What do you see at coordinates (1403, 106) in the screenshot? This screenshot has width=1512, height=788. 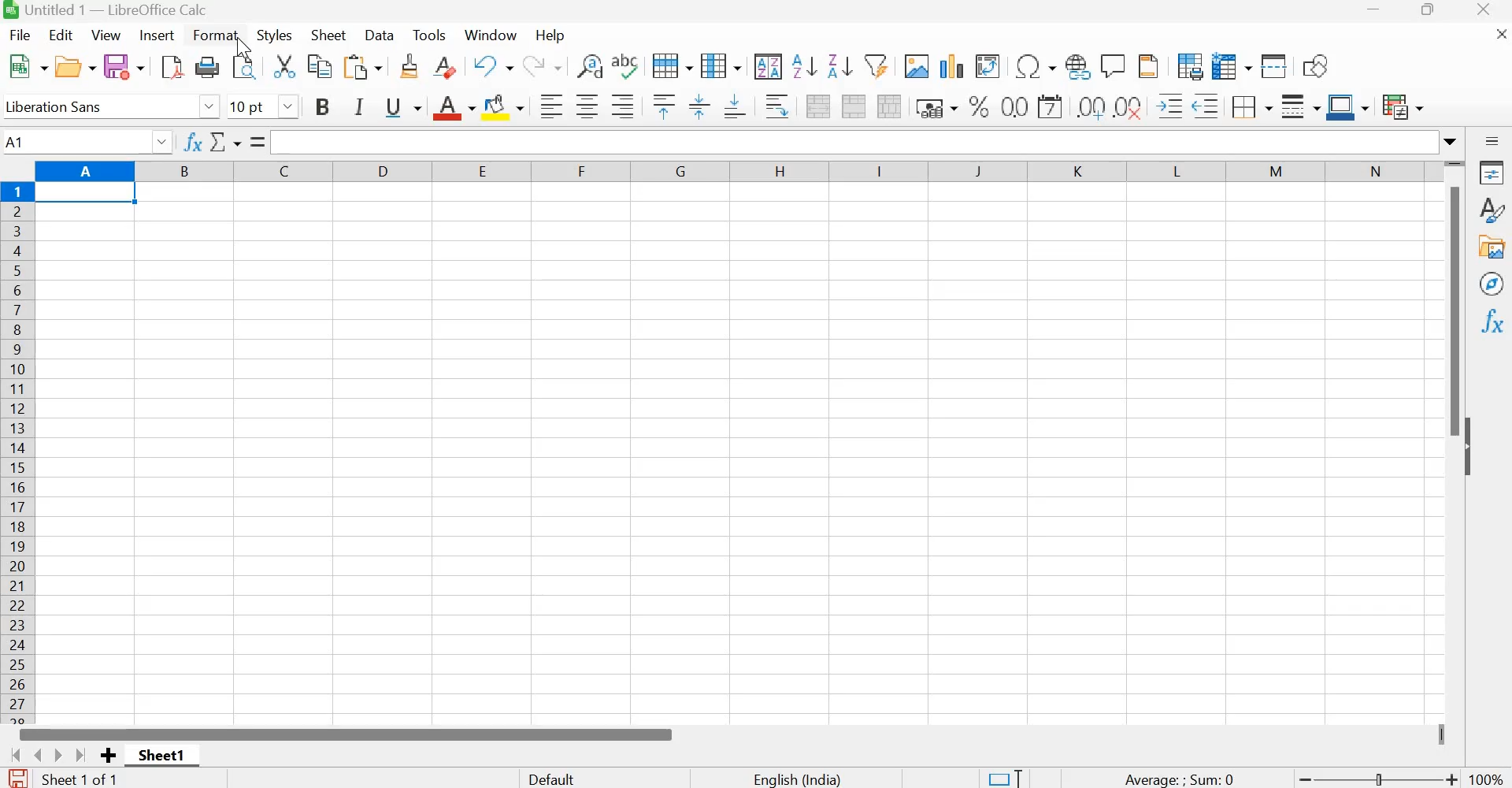 I see `Conditional ` at bounding box center [1403, 106].